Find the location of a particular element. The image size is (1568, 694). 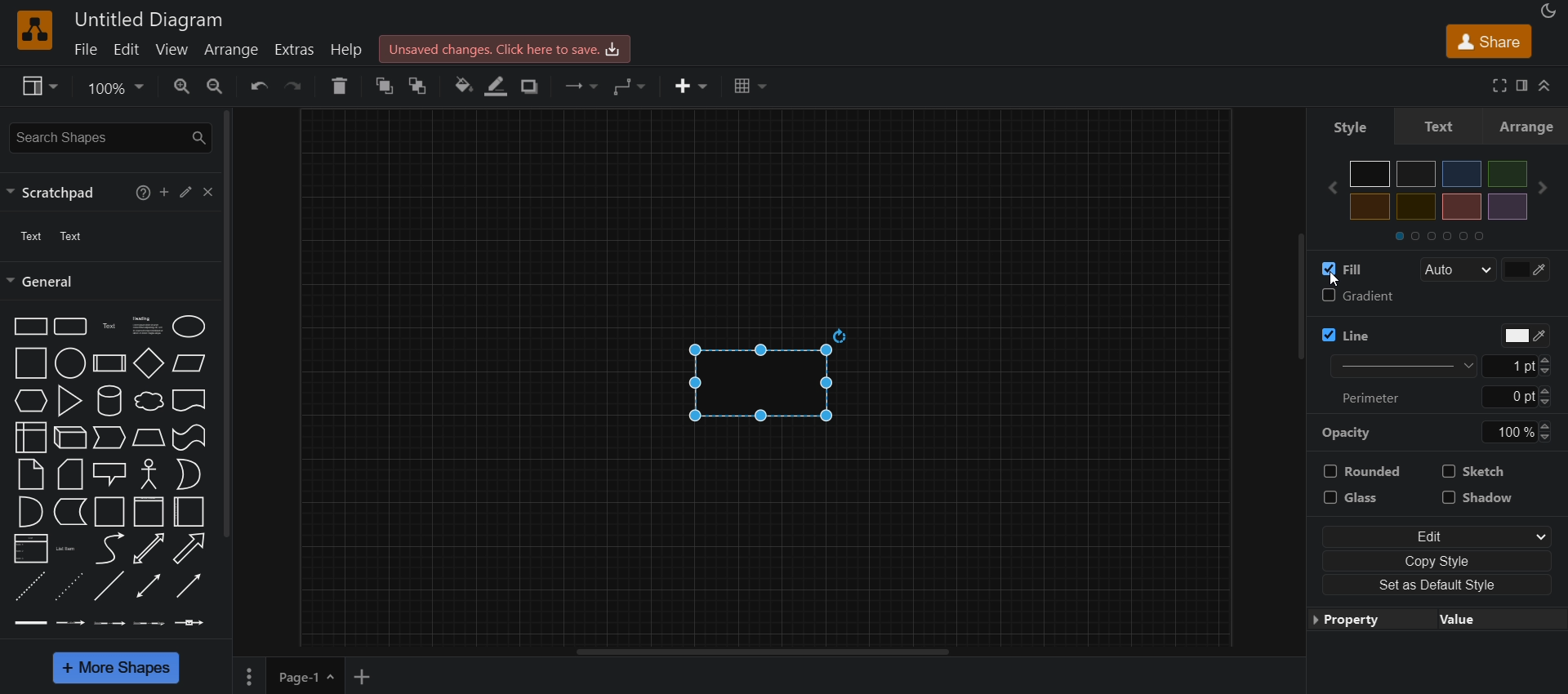

increase perimeter is located at coordinates (1547, 390).